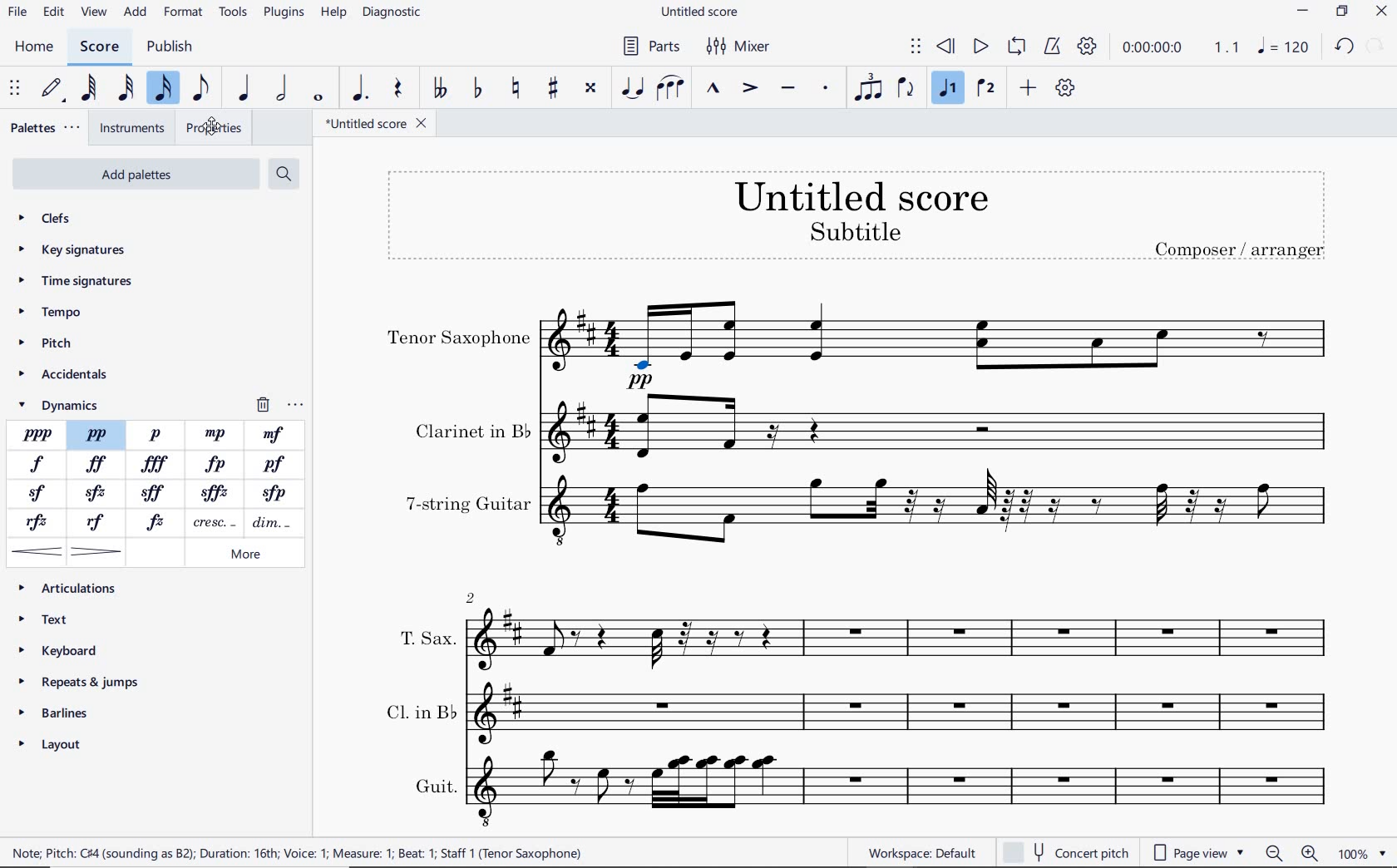 Image resolution: width=1397 pixels, height=868 pixels. What do you see at coordinates (914, 712) in the screenshot?
I see `cl. in B` at bounding box center [914, 712].